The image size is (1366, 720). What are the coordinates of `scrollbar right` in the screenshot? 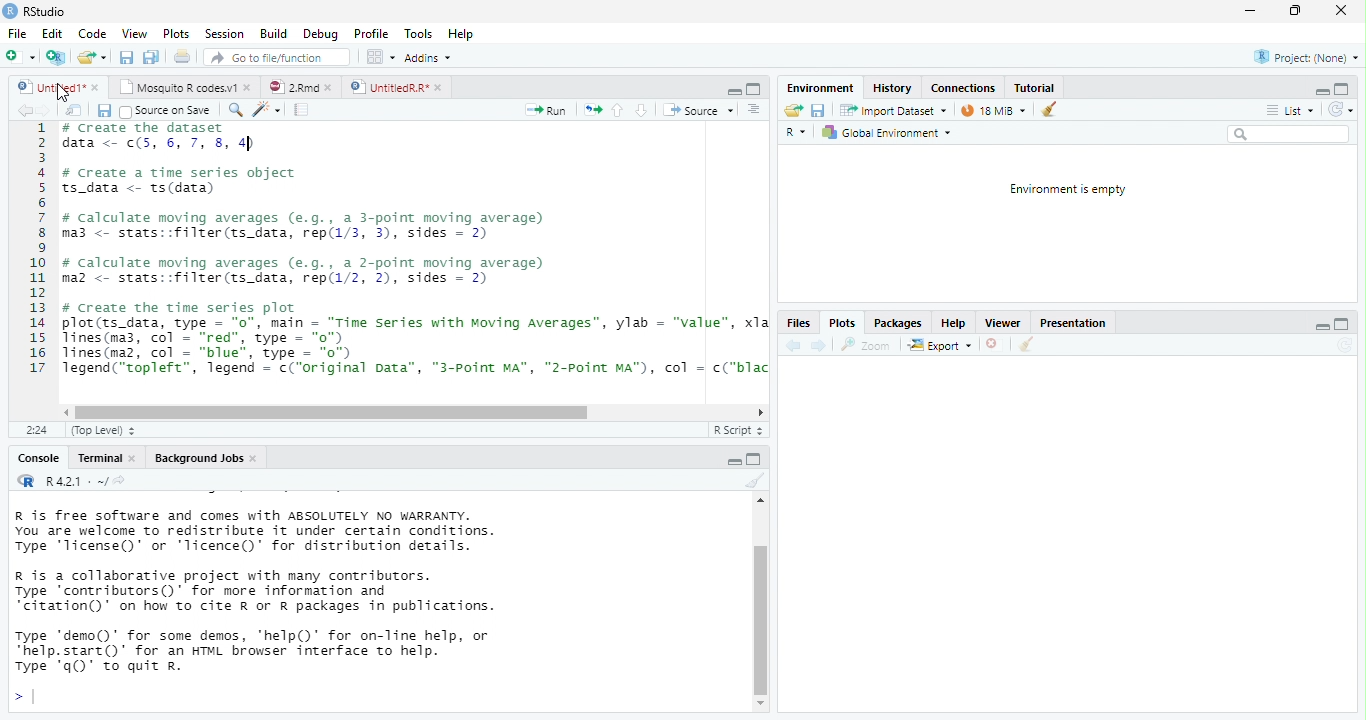 It's located at (758, 413).